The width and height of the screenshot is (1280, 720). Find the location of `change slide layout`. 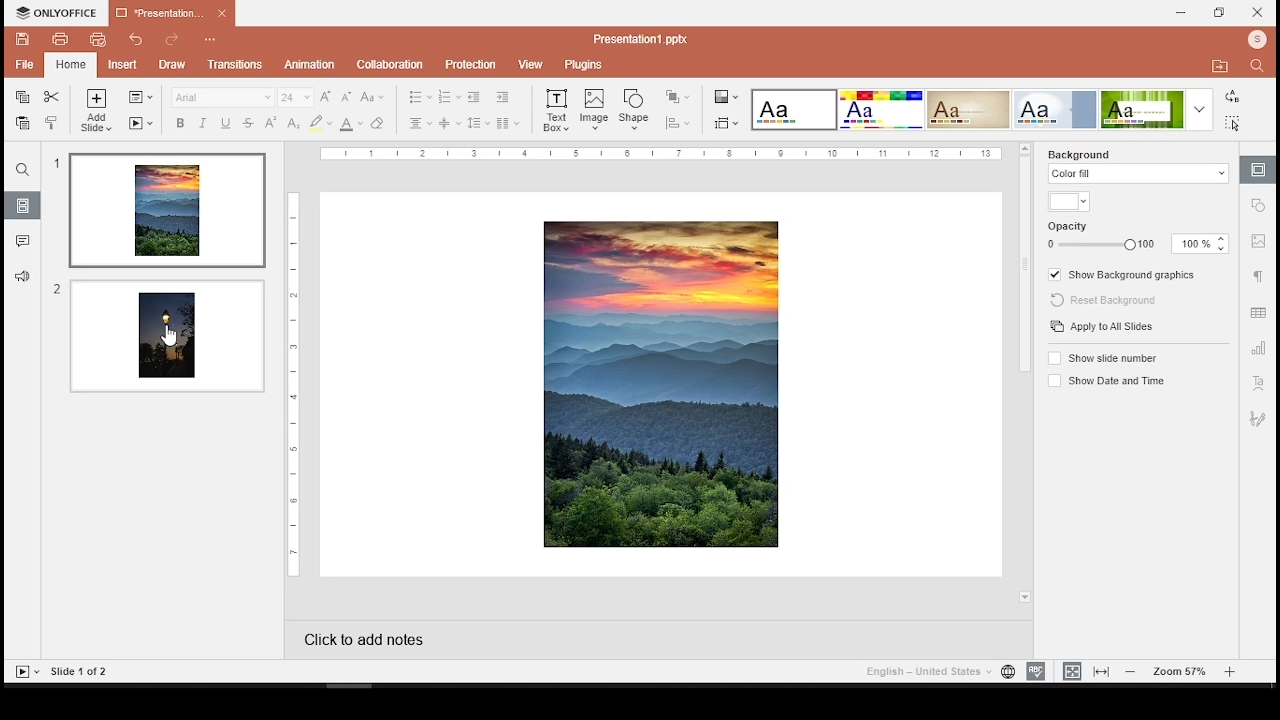

change slide layout is located at coordinates (140, 97).